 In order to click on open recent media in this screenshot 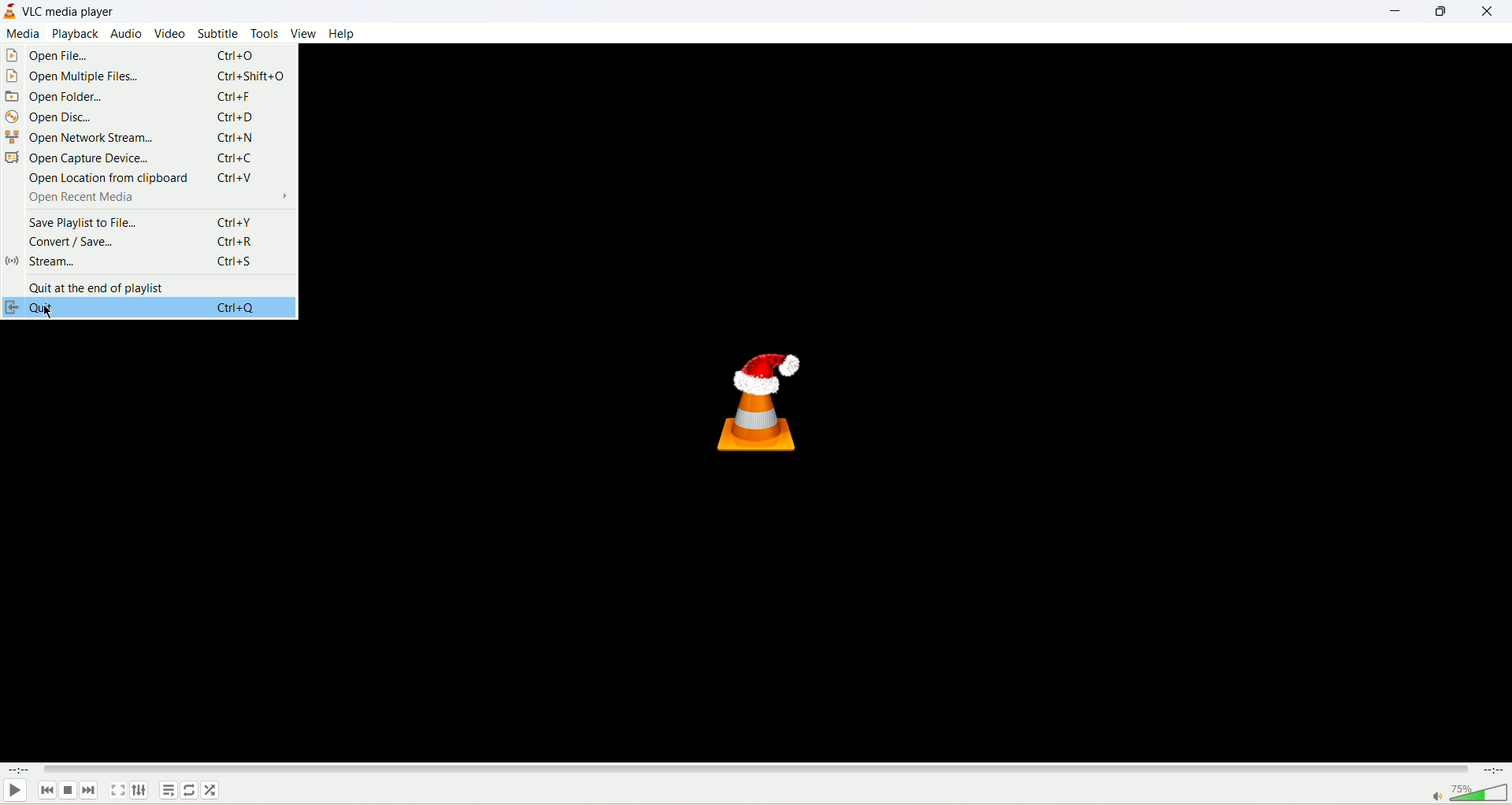, I will do `click(147, 198)`.